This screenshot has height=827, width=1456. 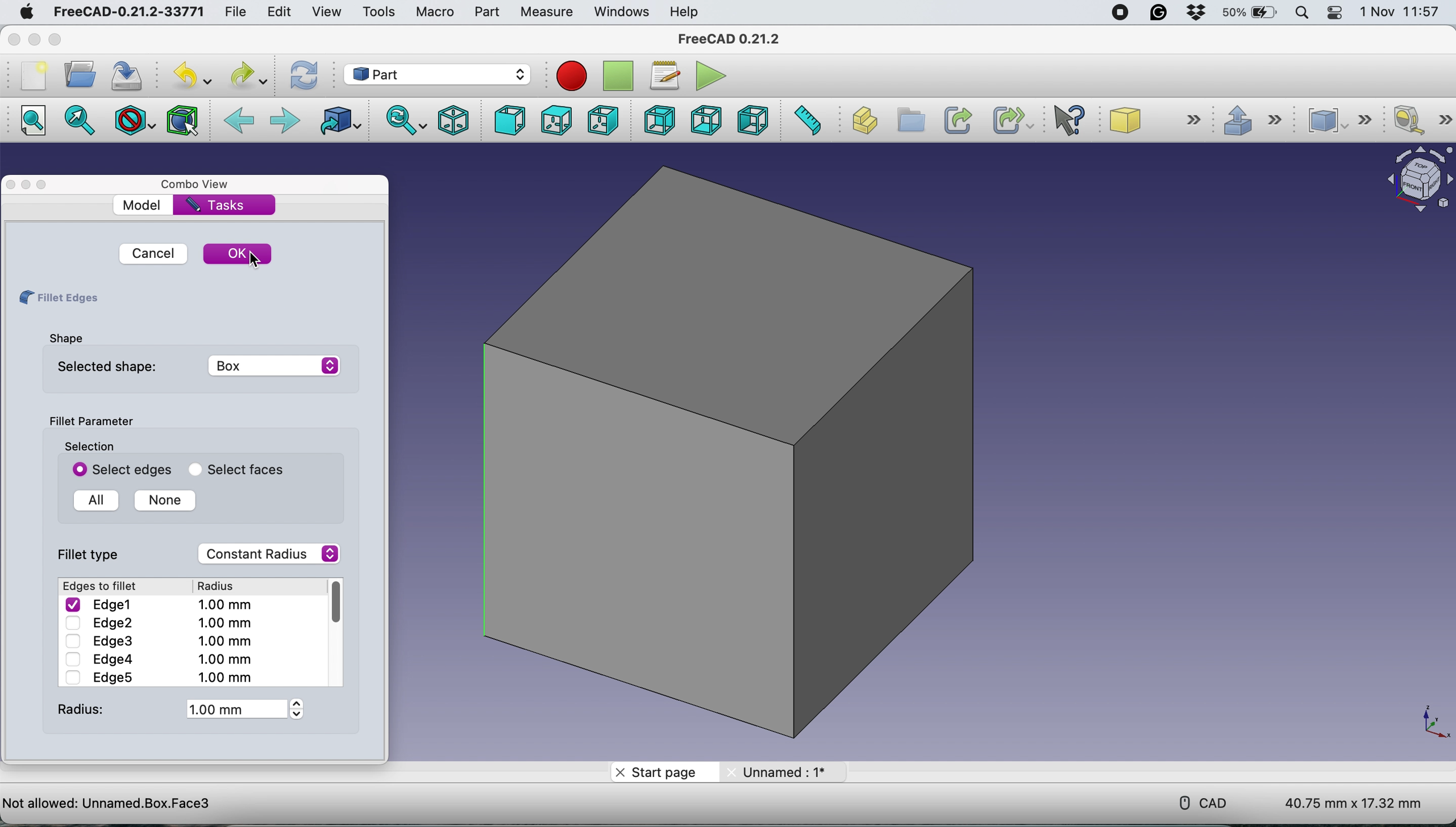 What do you see at coordinates (198, 184) in the screenshot?
I see `Combo View` at bounding box center [198, 184].